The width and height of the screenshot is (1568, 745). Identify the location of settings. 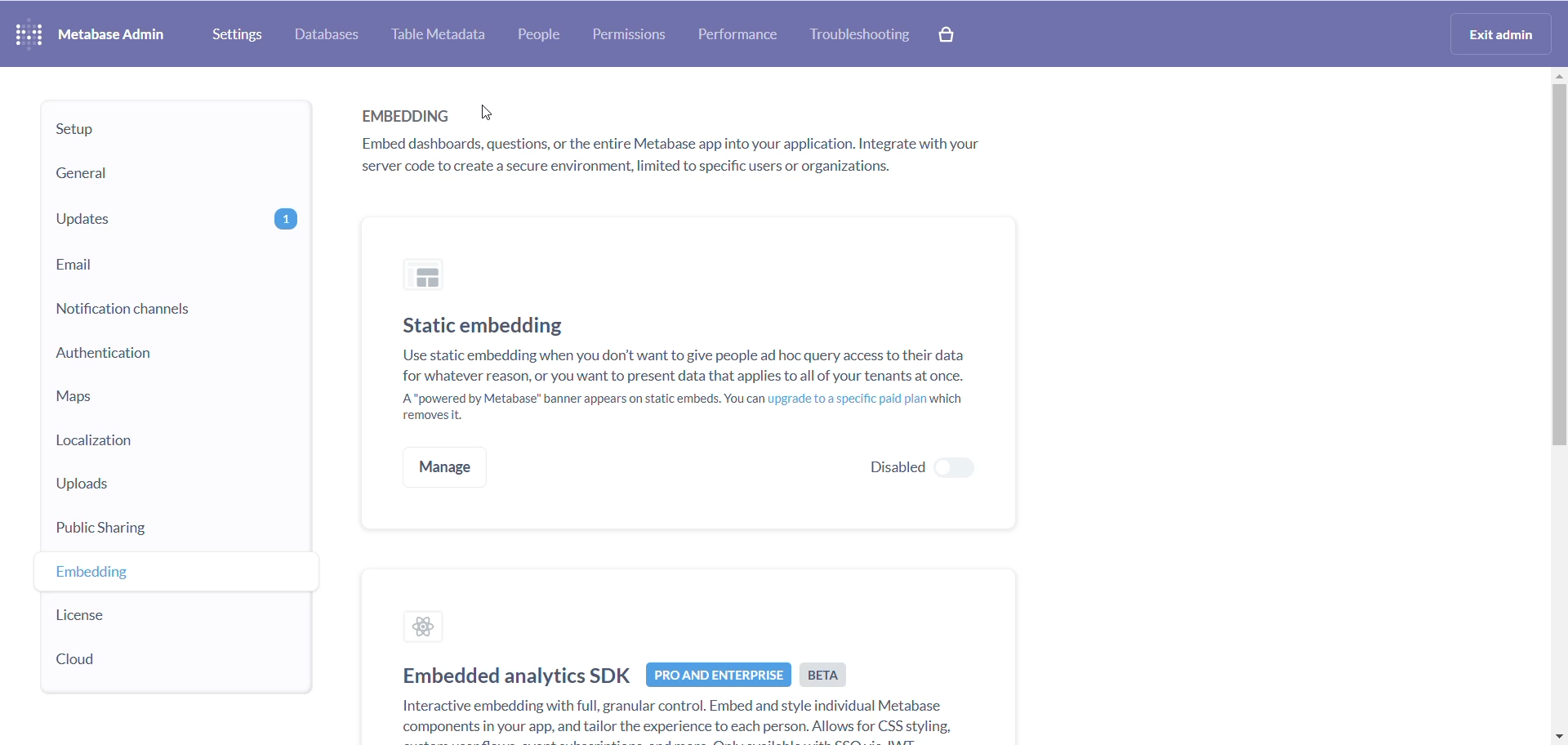
(234, 34).